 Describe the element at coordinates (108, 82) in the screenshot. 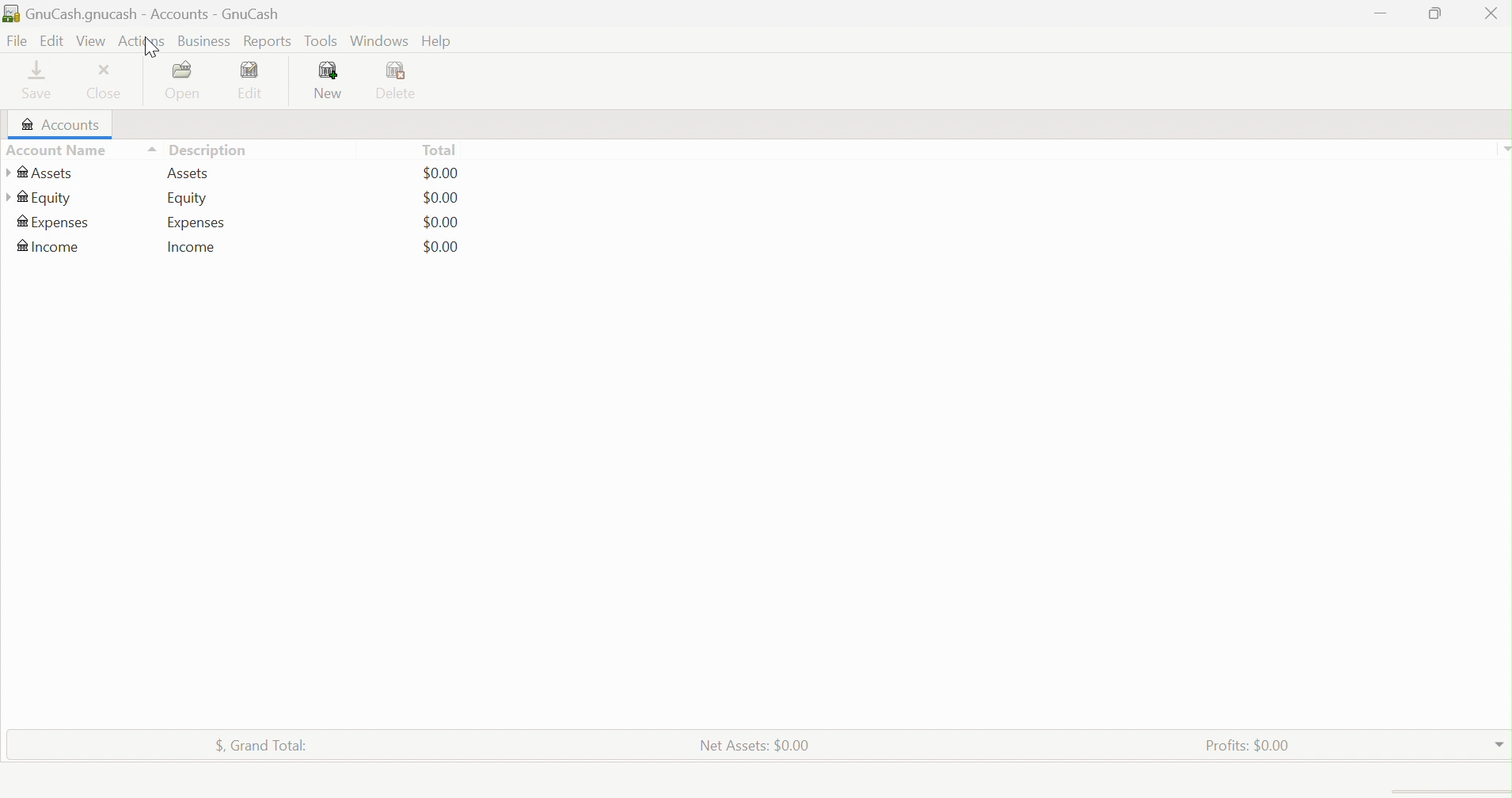

I see `Close` at that location.